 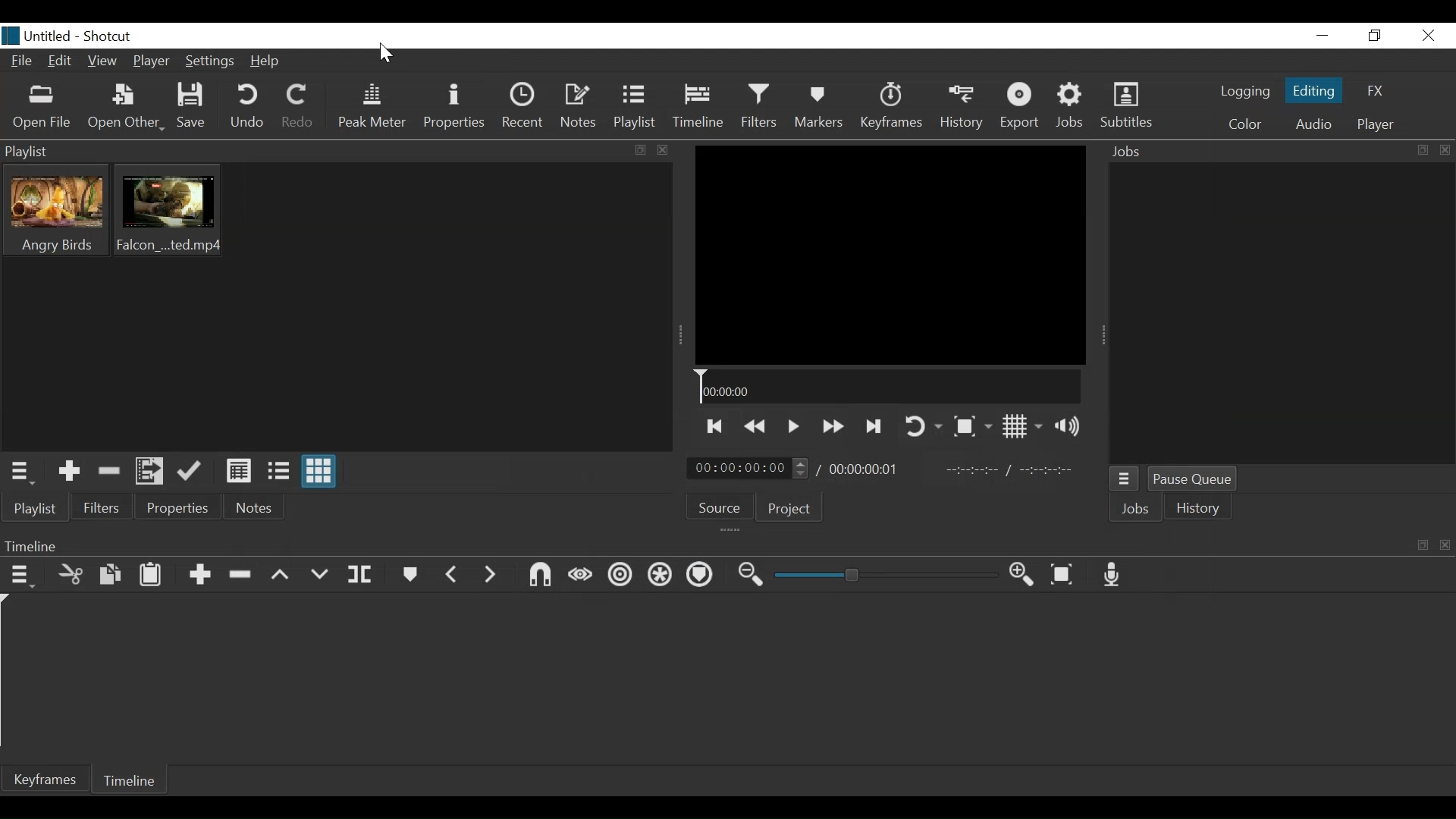 What do you see at coordinates (1021, 575) in the screenshot?
I see `Zoom Timeline in` at bounding box center [1021, 575].